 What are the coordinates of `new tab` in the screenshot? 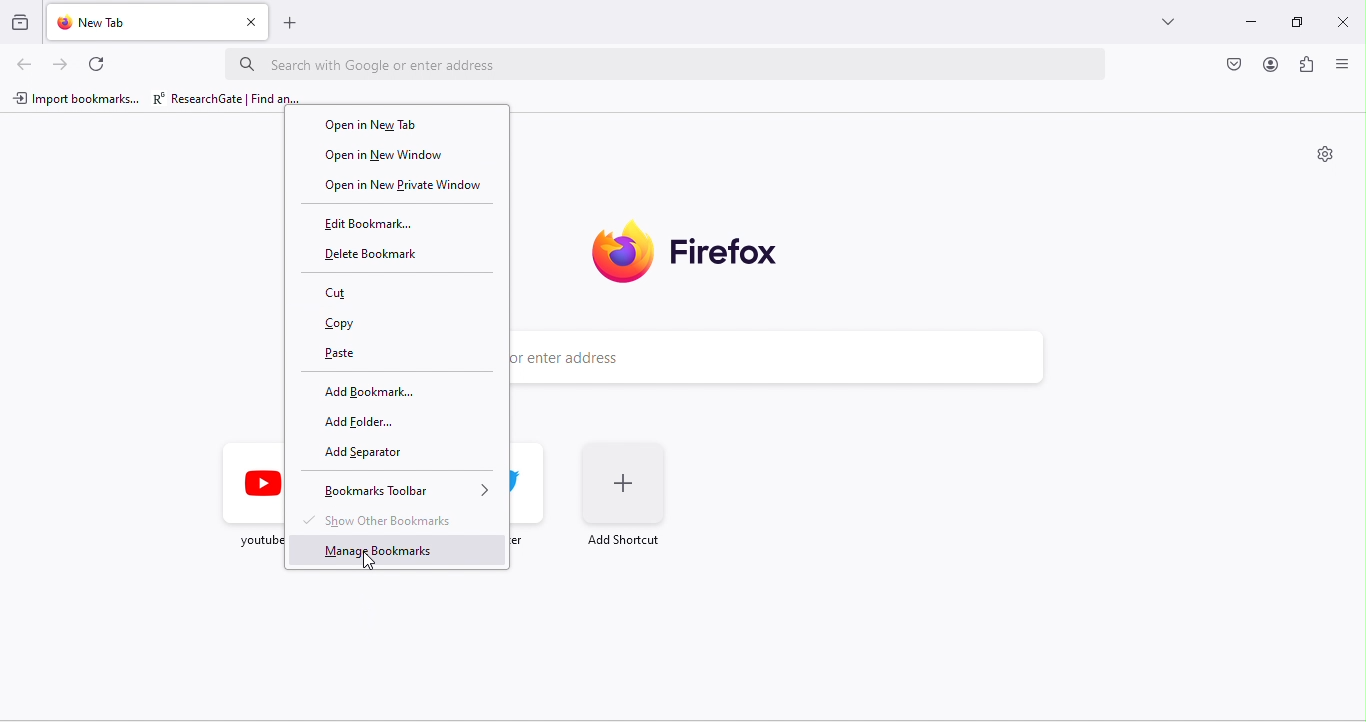 It's located at (137, 22).